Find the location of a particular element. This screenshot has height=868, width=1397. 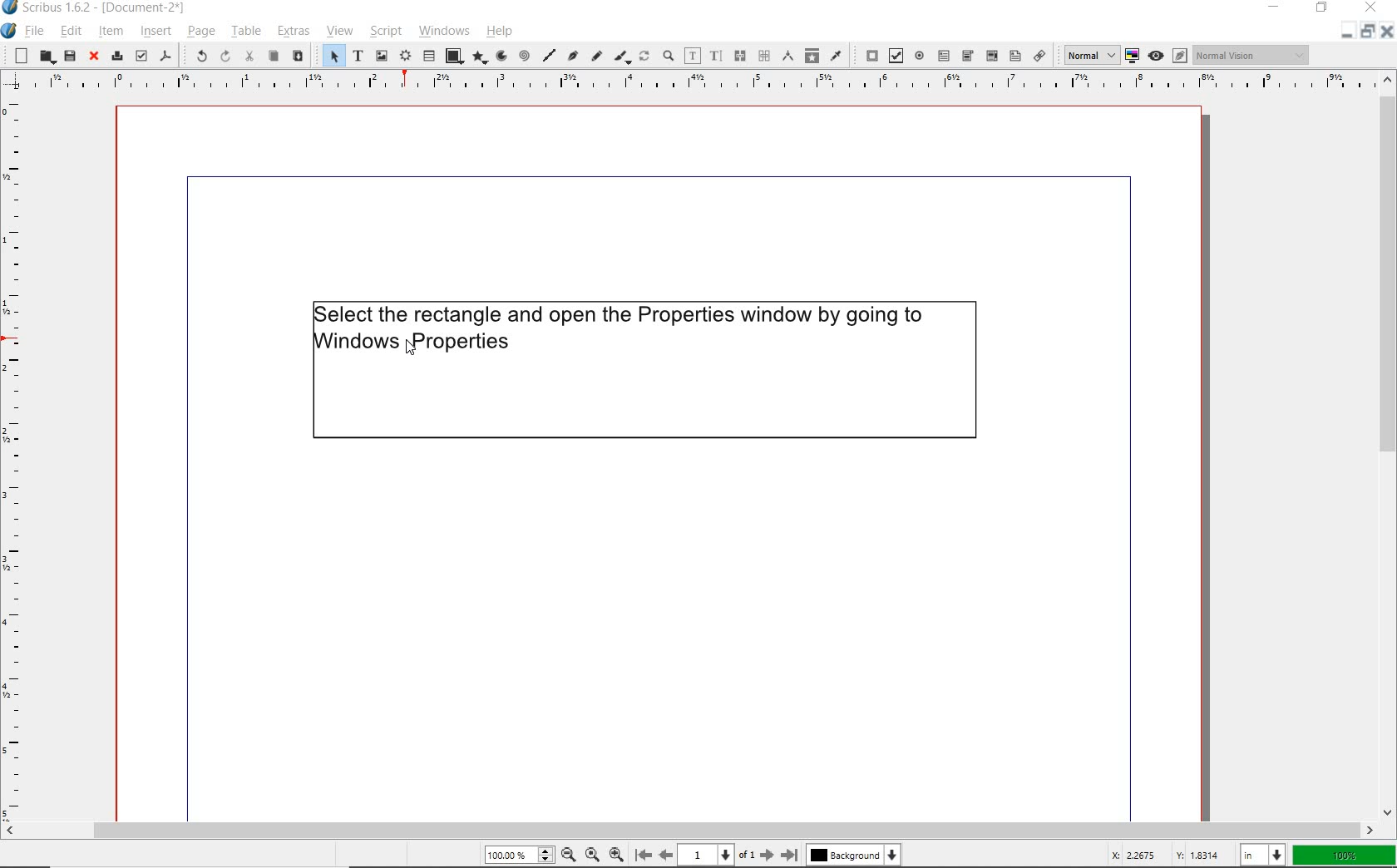

new is located at coordinates (17, 56).